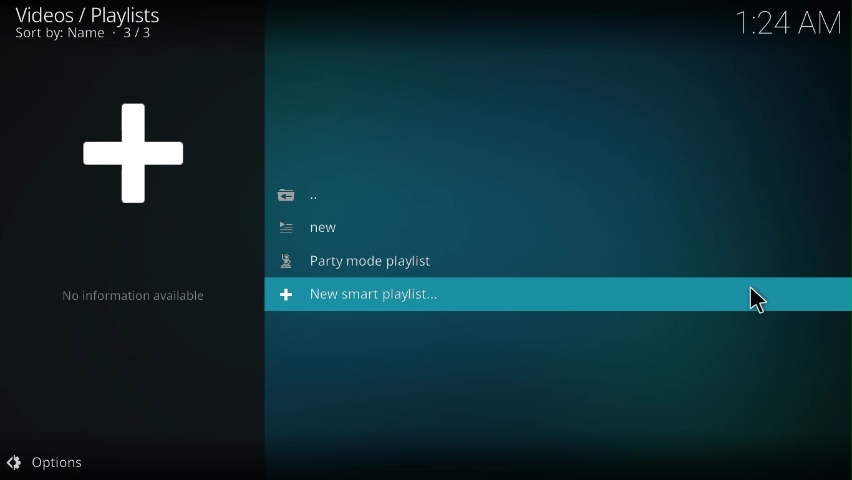 The width and height of the screenshot is (852, 480). I want to click on add, so click(136, 149).